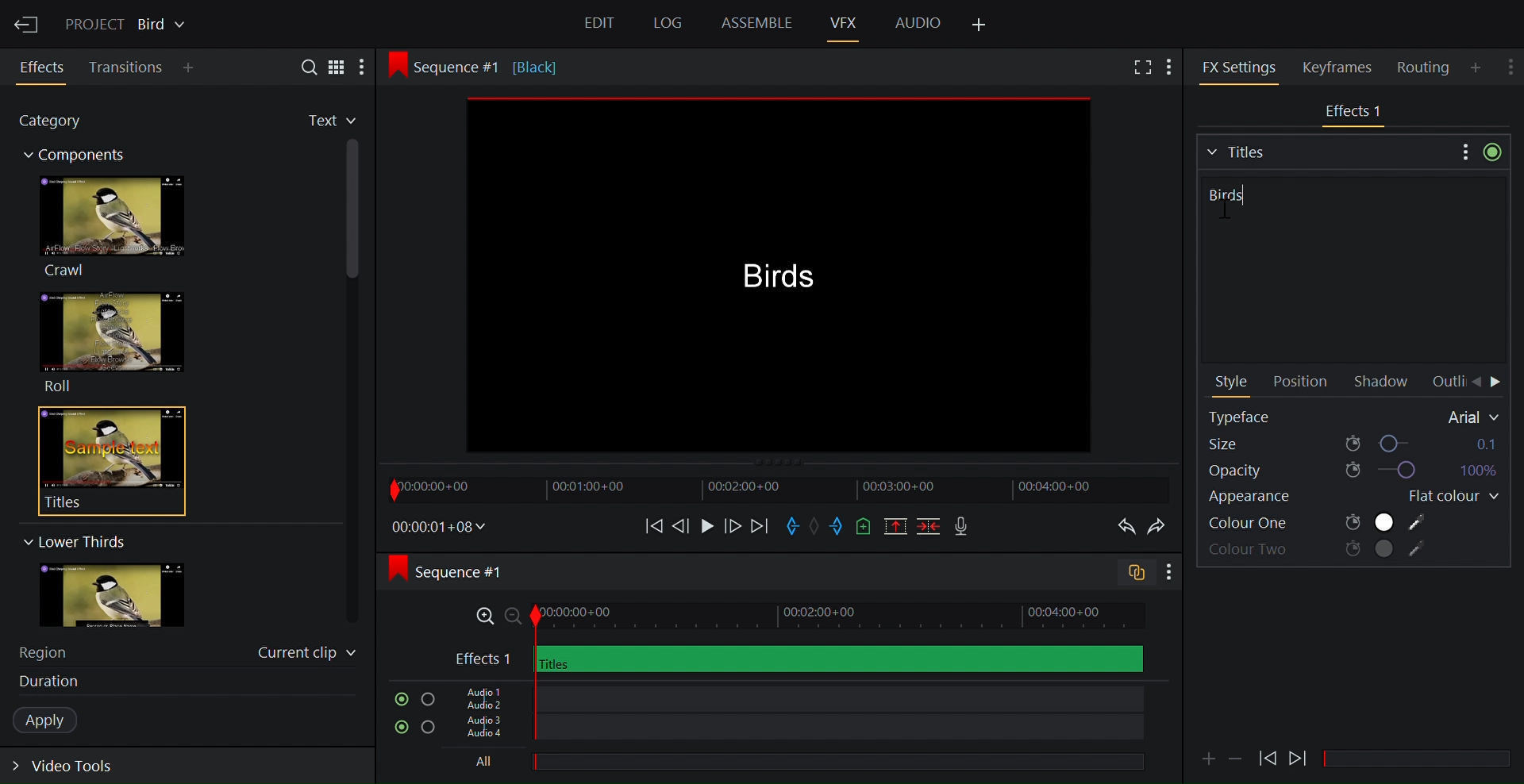  Describe the element at coordinates (318, 121) in the screenshot. I see `Favorites` at that location.